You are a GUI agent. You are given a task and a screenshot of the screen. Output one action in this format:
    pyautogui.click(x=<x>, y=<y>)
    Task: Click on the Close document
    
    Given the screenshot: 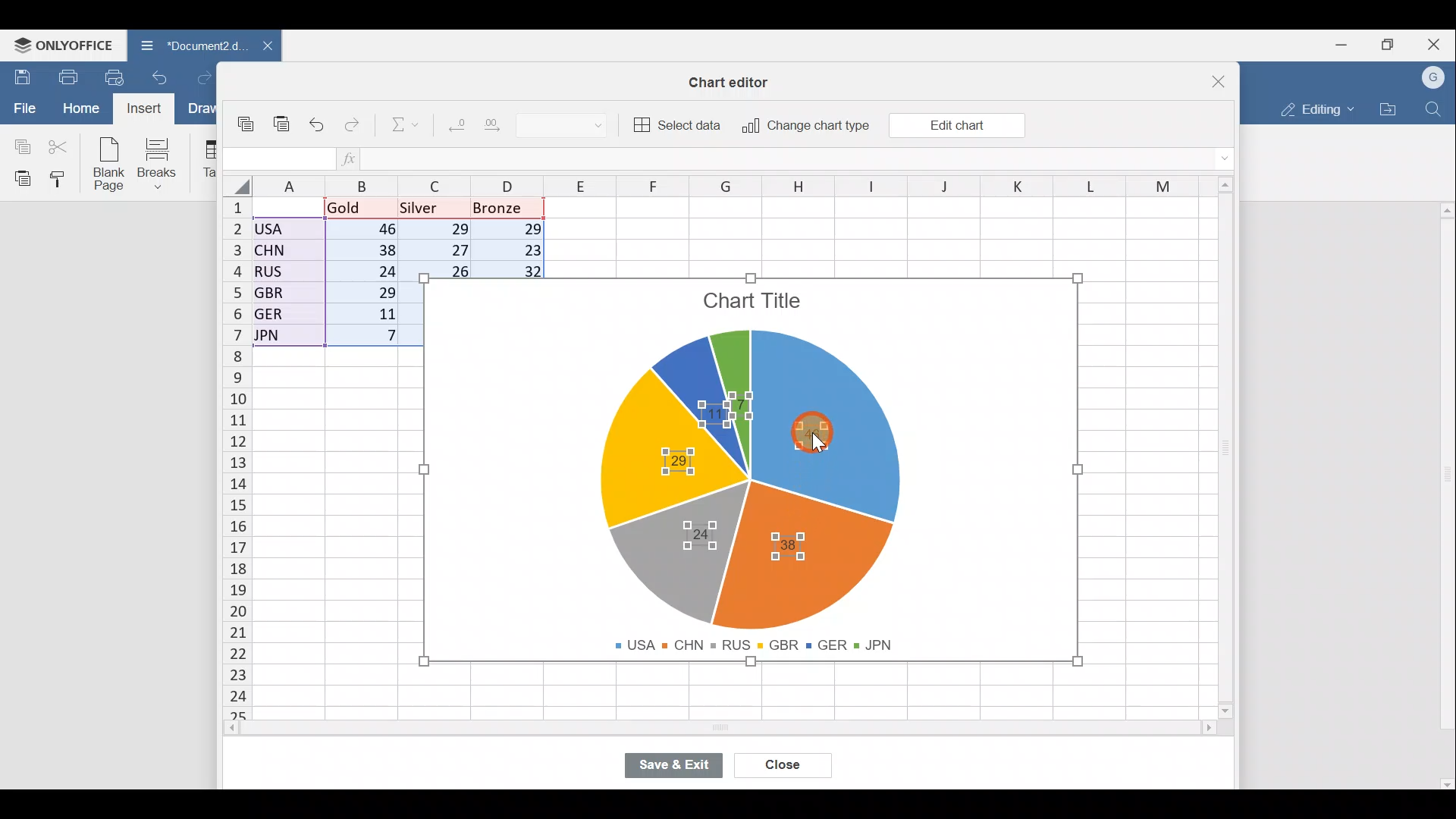 What is the action you would take?
    pyautogui.click(x=265, y=47)
    